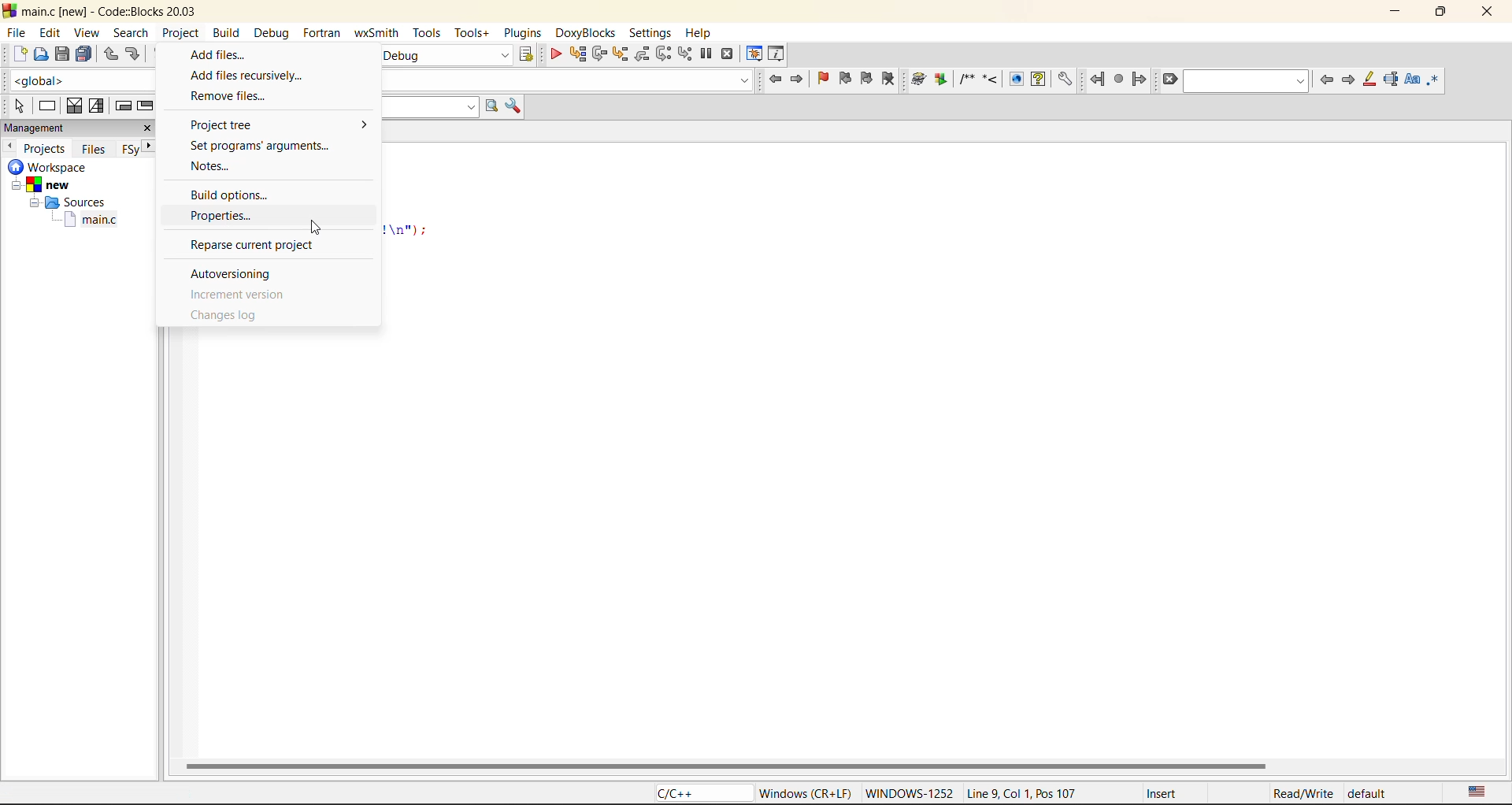 The height and width of the screenshot is (805, 1512). What do you see at coordinates (869, 80) in the screenshot?
I see `next bookmark` at bounding box center [869, 80].